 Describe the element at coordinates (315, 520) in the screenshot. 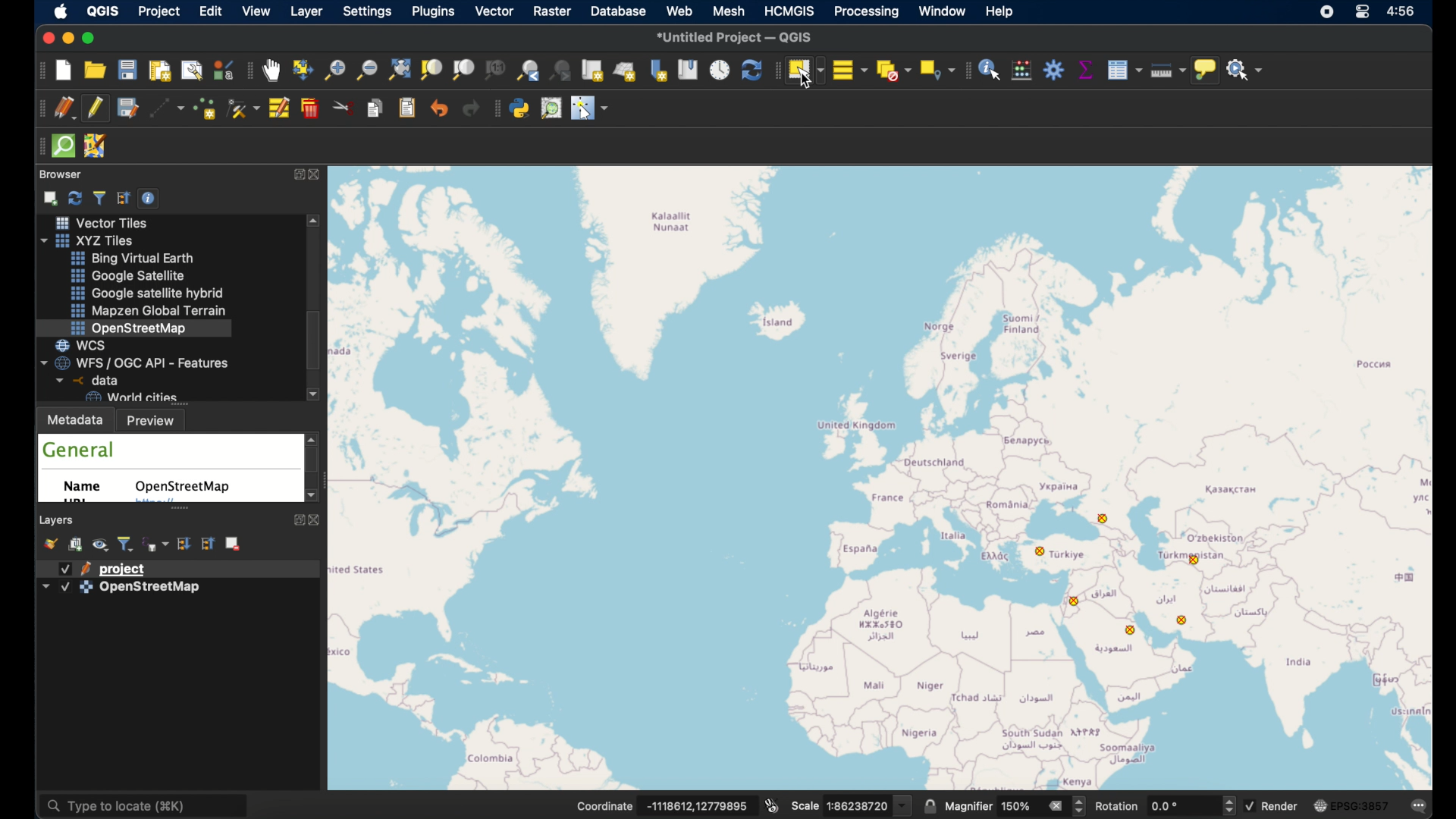

I see `close` at that location.